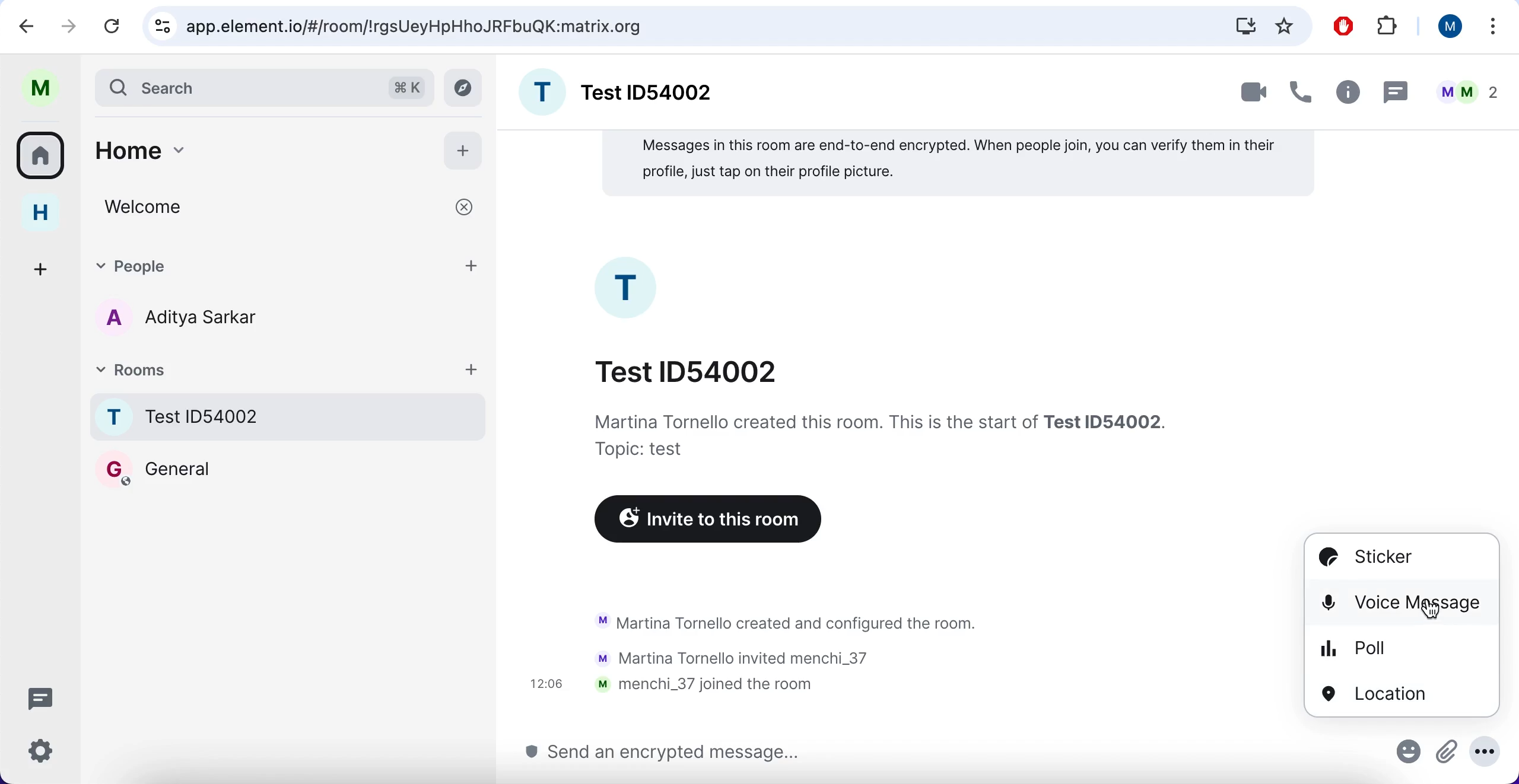 The height and width of the screenshot is (784, 1519). Describe the element at coordinates (1375, 694) in the screenshot. I see `location` at that location.